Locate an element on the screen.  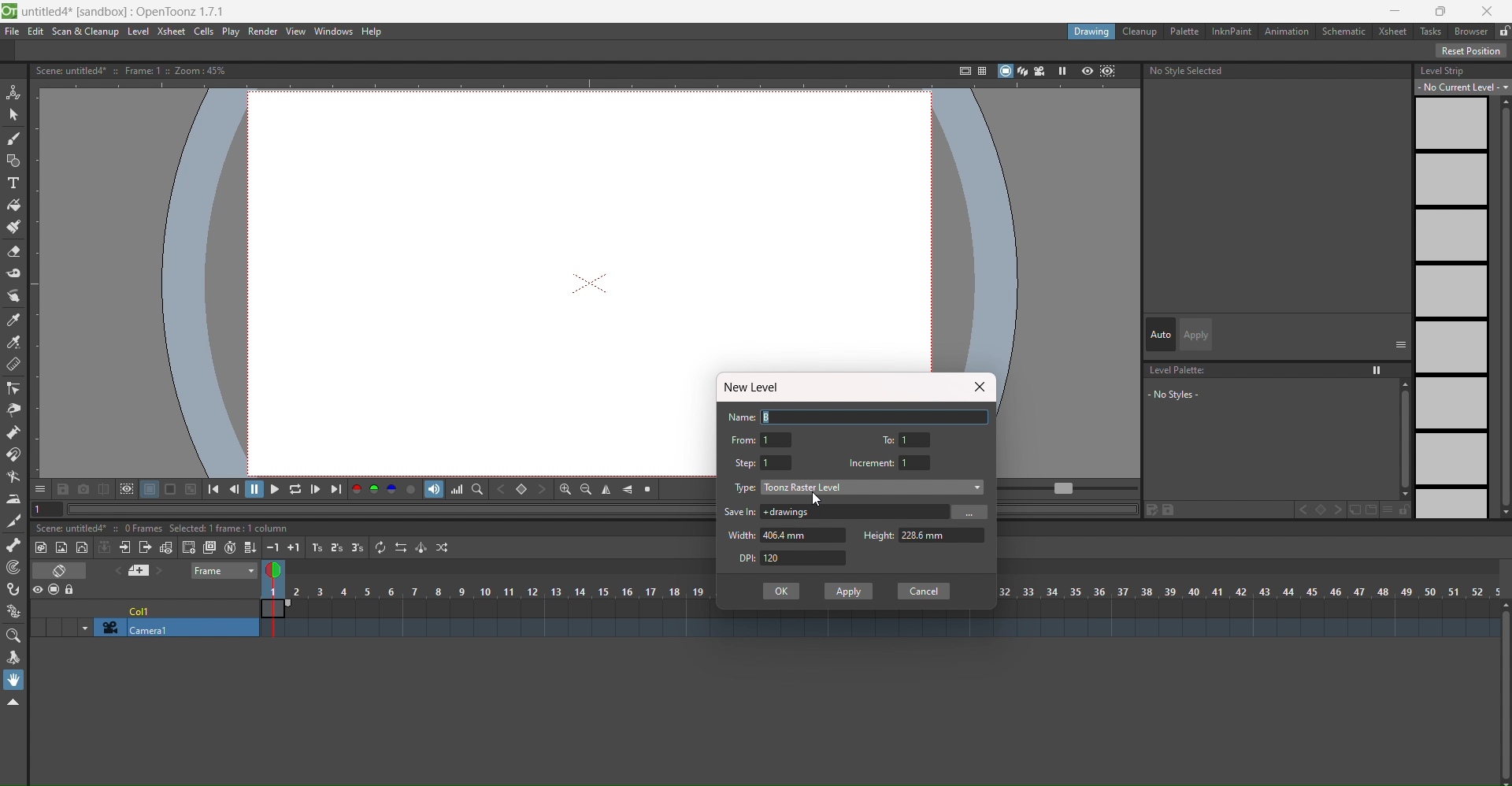
apply is located at coordinates (1198, 335).